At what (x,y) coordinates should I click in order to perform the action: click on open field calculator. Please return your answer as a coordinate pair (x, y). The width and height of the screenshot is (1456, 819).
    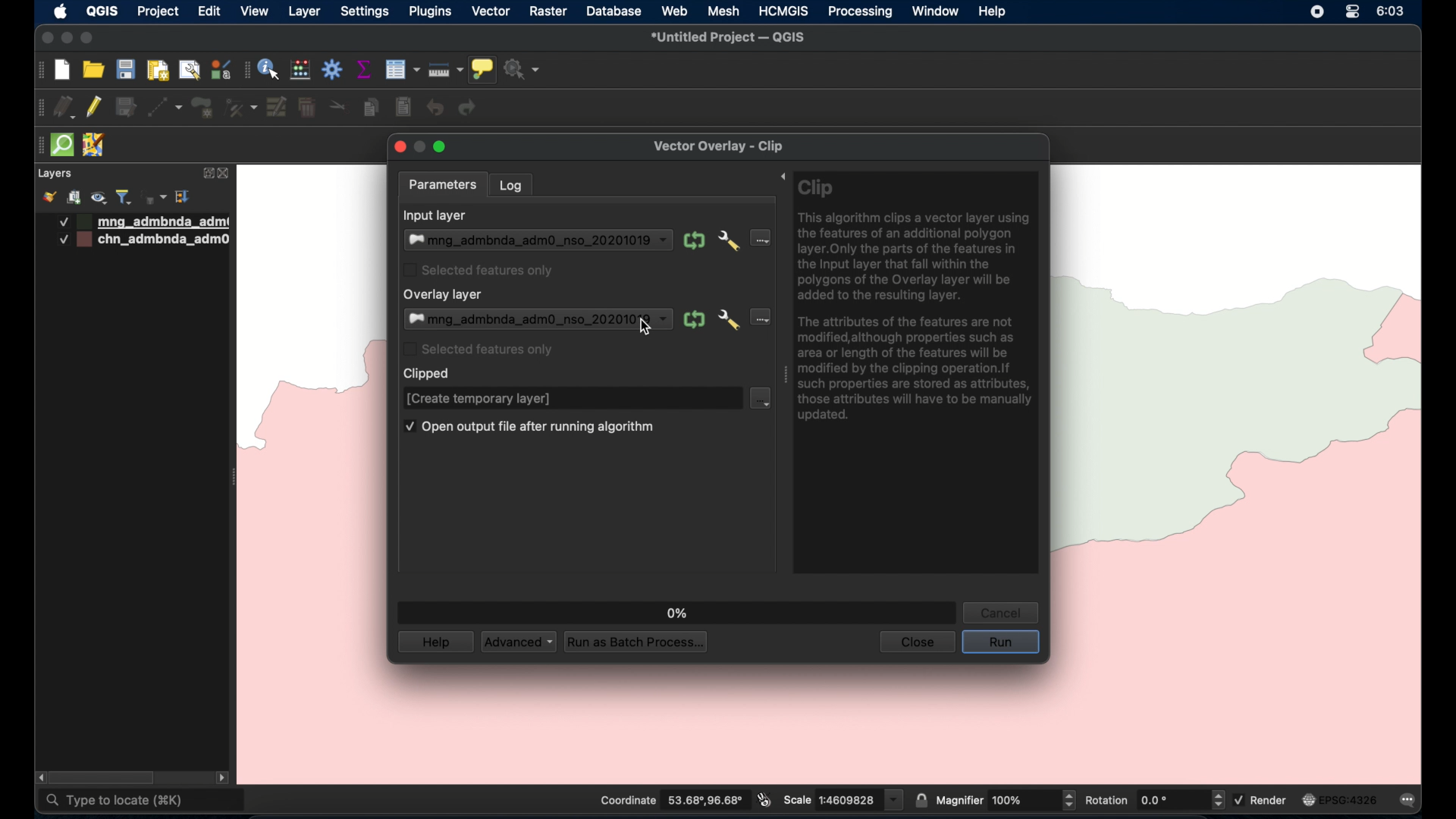
    Looking at the image, I should click on (301, 71).